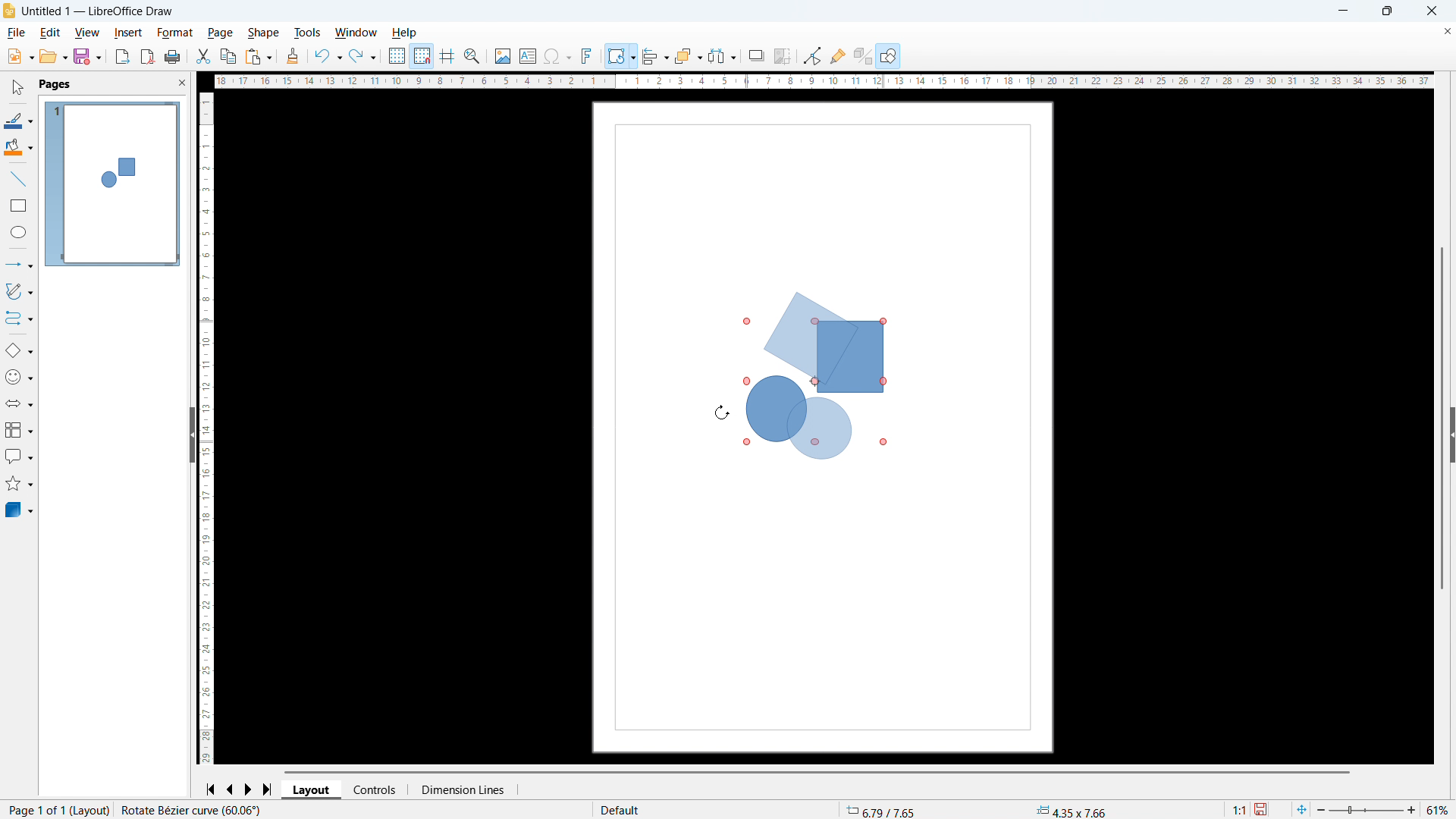  What do you see at coordinates (220, 33) in the screenshot?
I see `page ` at bounding box center [220, 33].